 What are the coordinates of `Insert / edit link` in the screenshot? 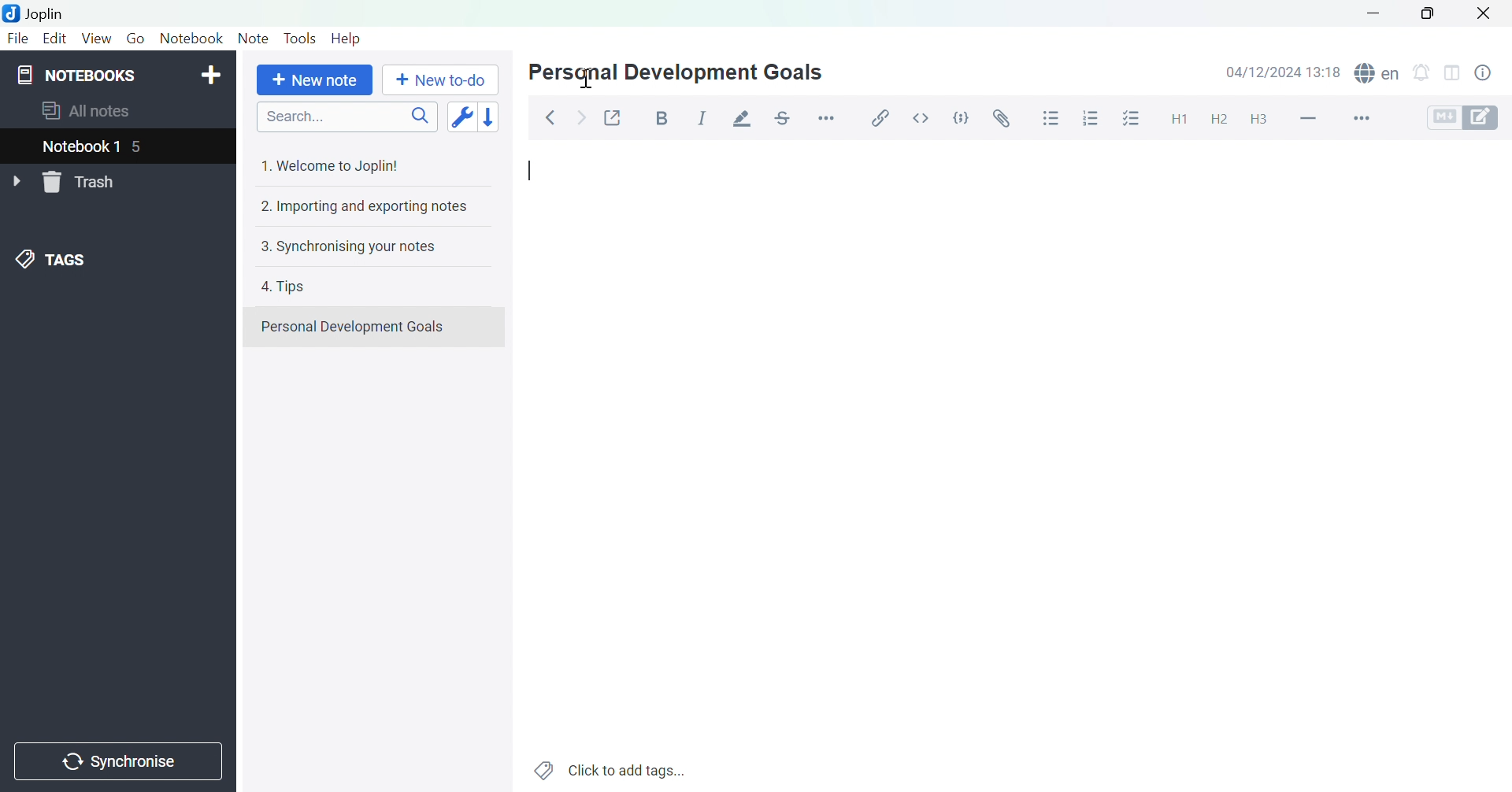 It's located at (884, 119).